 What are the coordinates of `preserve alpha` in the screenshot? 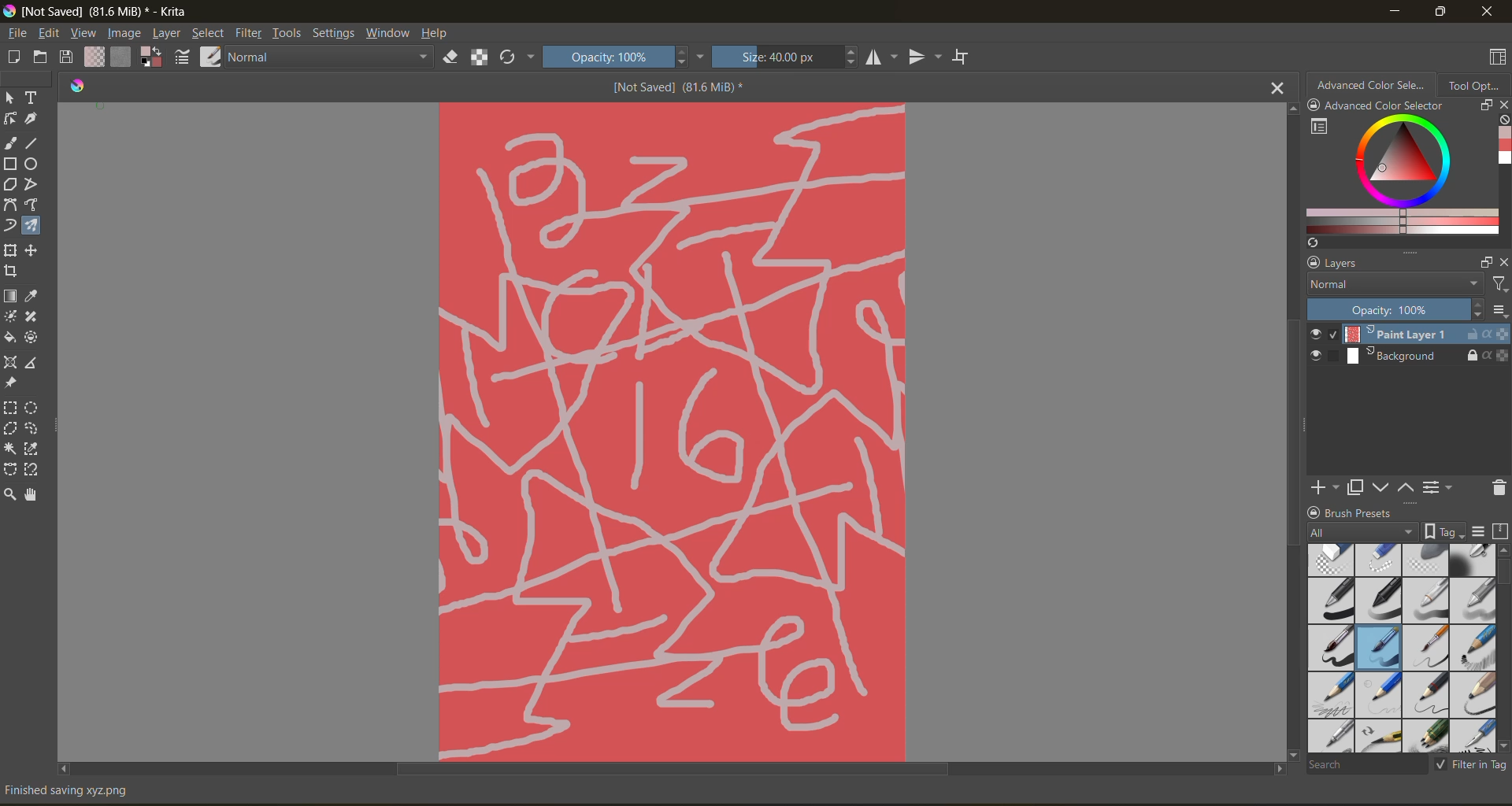 It's located at (480, 59).